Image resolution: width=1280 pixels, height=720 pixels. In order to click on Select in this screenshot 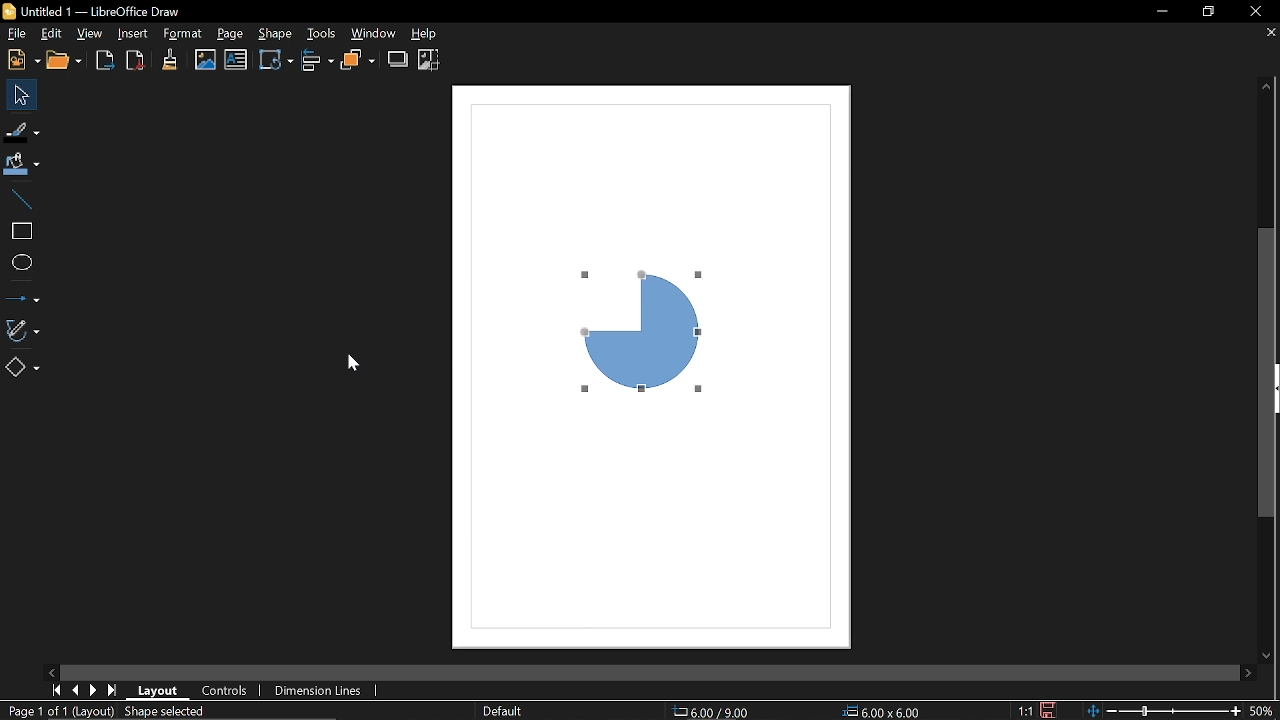, I will do `click(18, 93)`.